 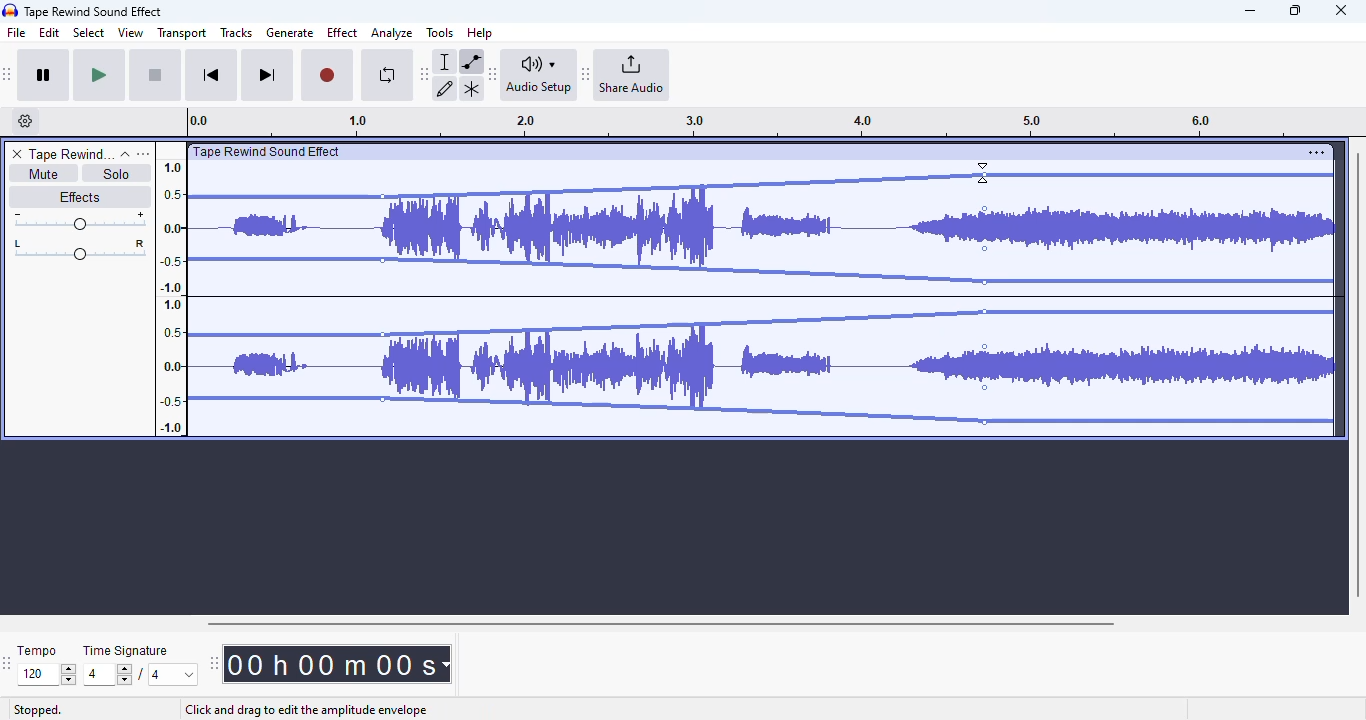 What do you see at coordinates (46, 675) in the screenshot?
I see `Input for tempo` at bounding box center [46, 675].